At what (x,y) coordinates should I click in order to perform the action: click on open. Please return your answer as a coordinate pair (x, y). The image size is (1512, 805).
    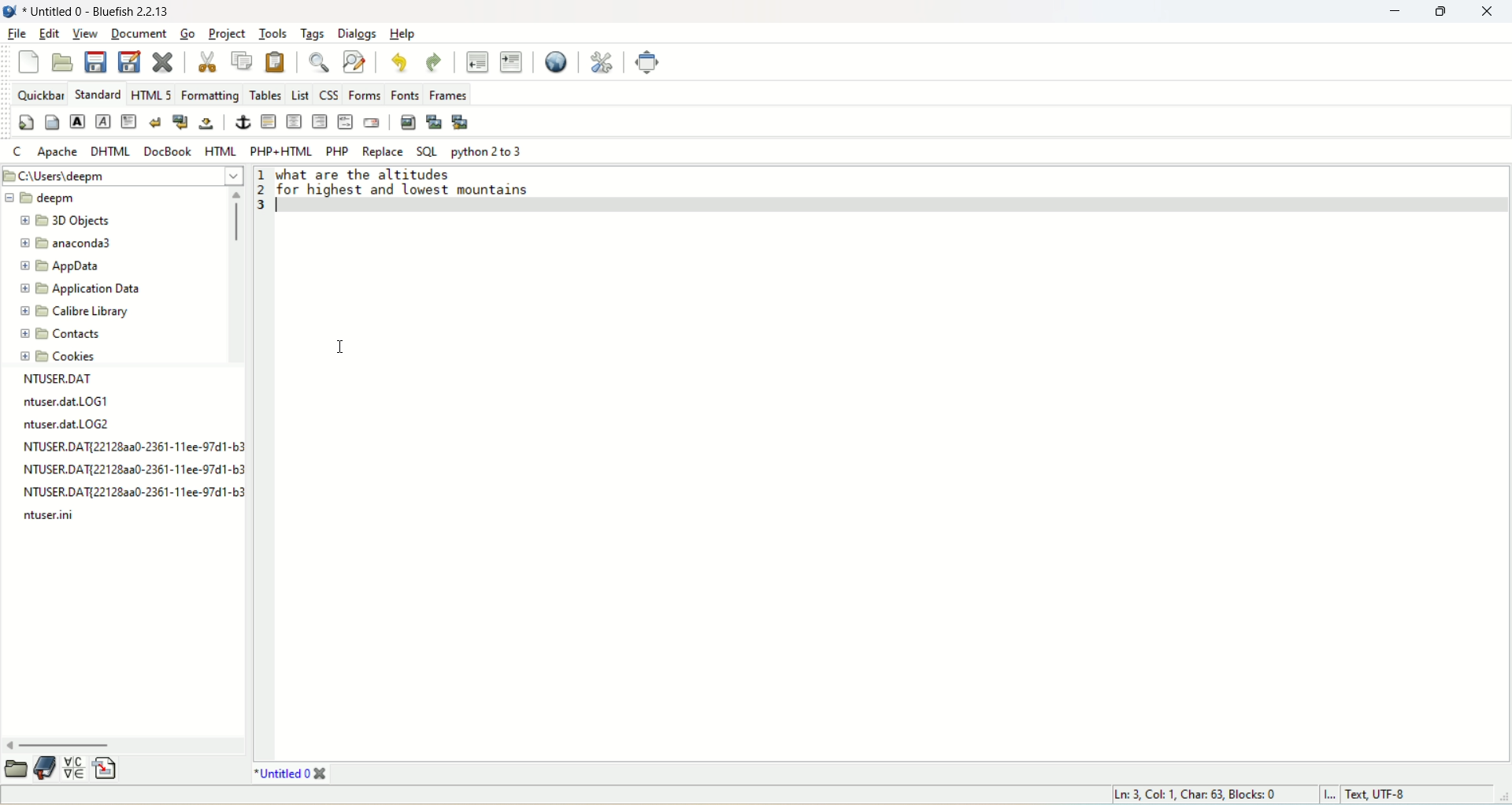
    Looking at the image, I should click on (13, 770).